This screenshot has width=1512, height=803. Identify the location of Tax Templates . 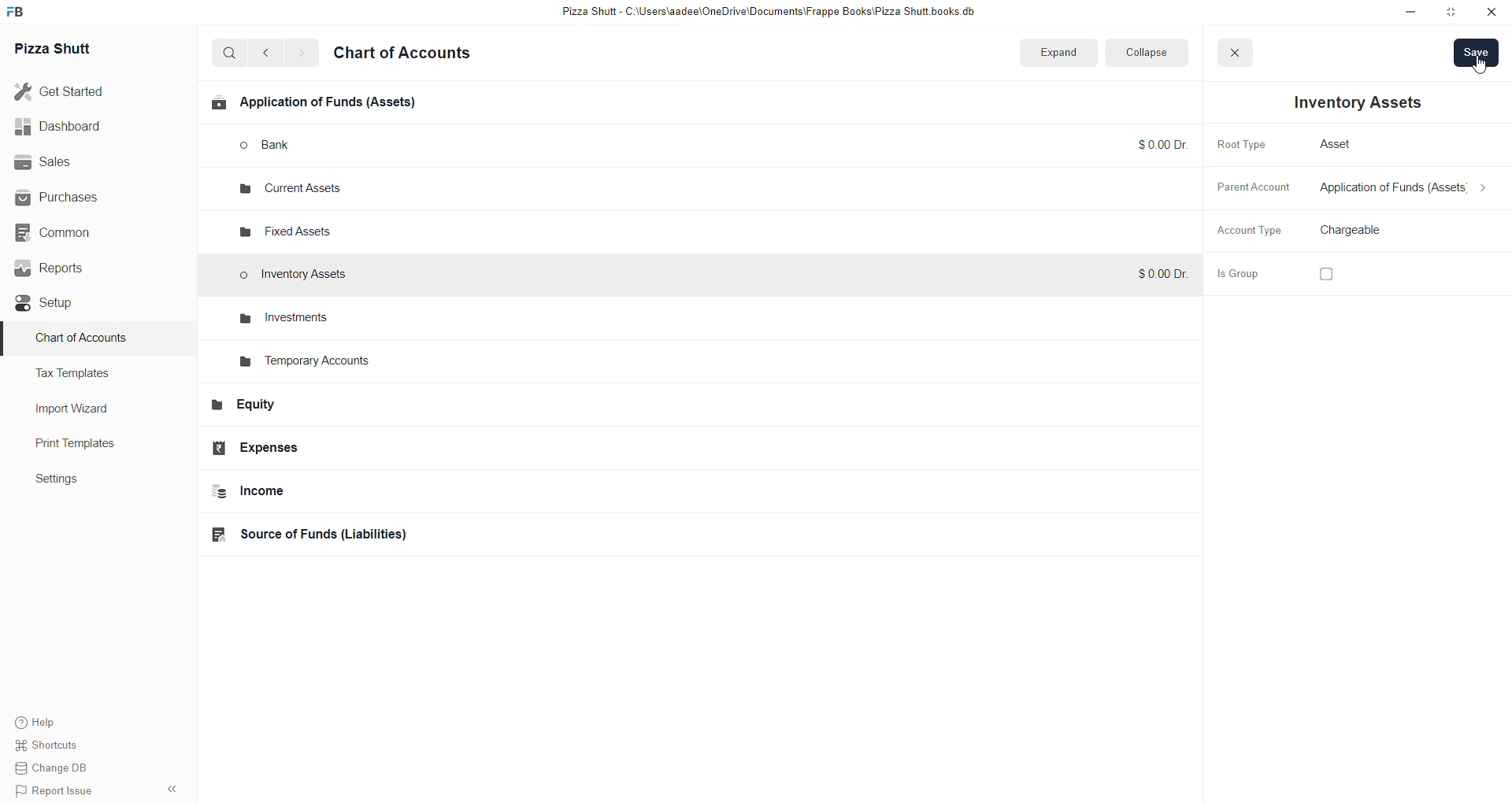
(92, 376).